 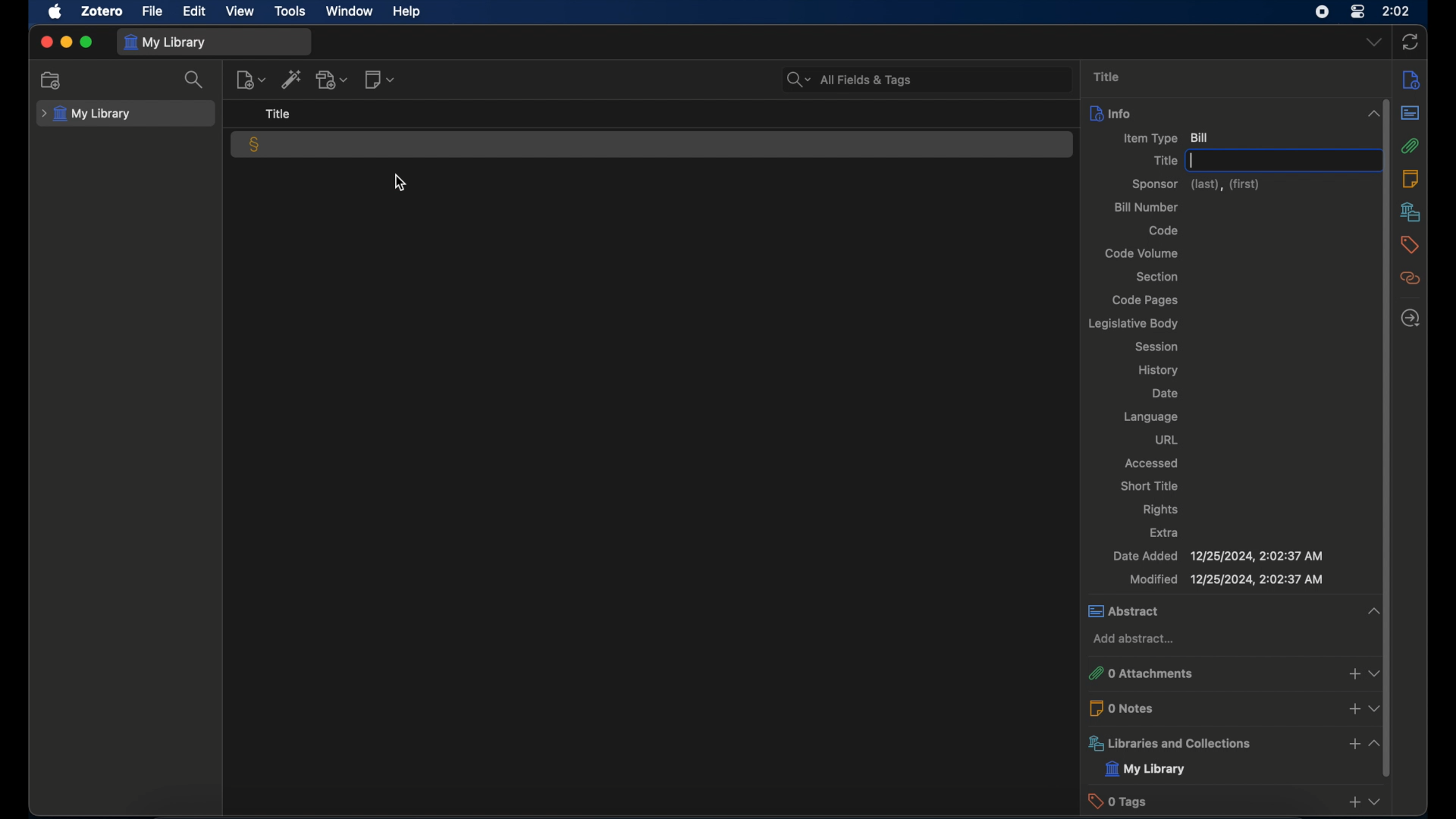 I want to click on date added, so click(x=1216, y=556).